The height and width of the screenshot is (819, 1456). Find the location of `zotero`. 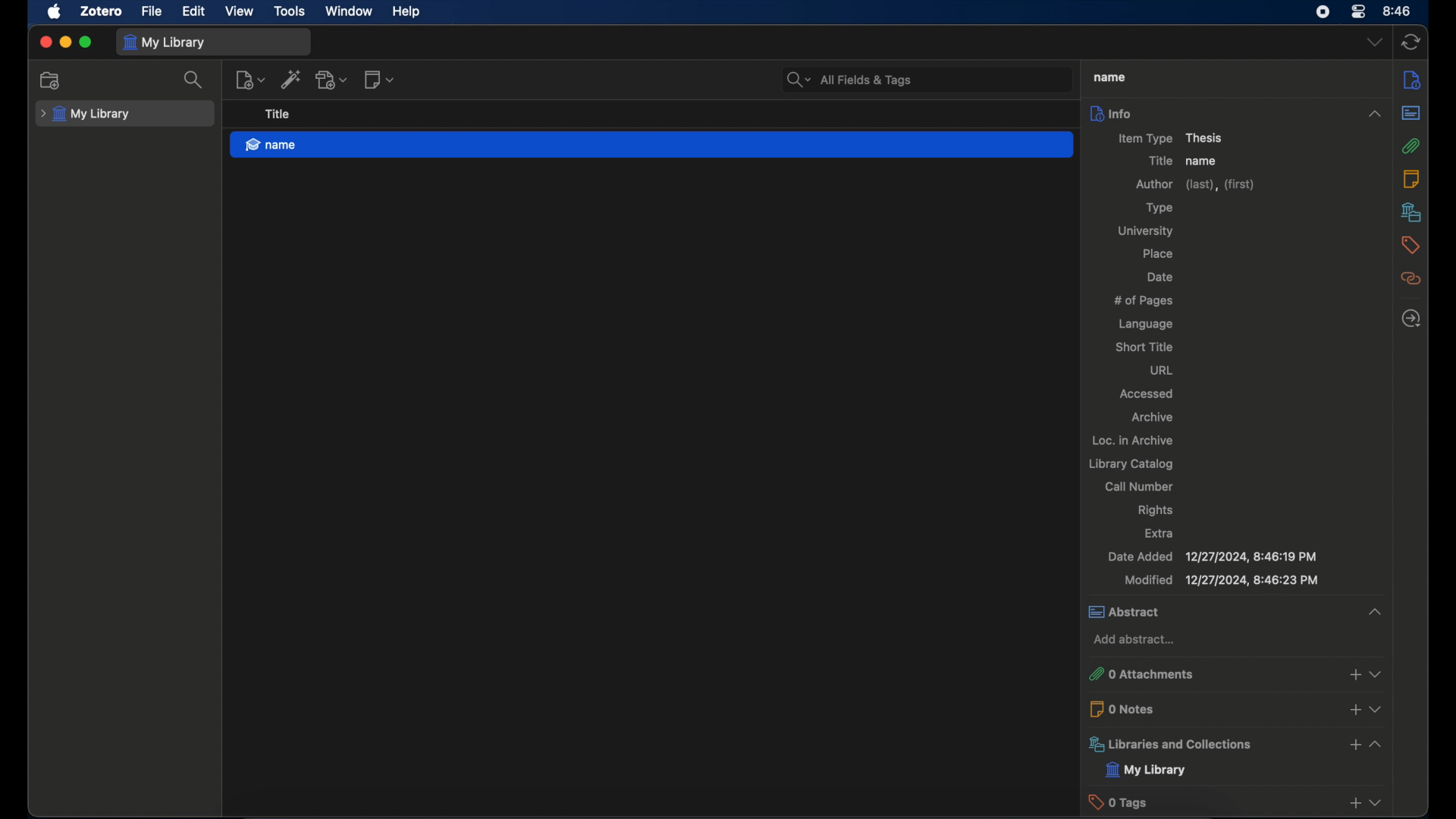

zotero is located at coordinates (102, 11).